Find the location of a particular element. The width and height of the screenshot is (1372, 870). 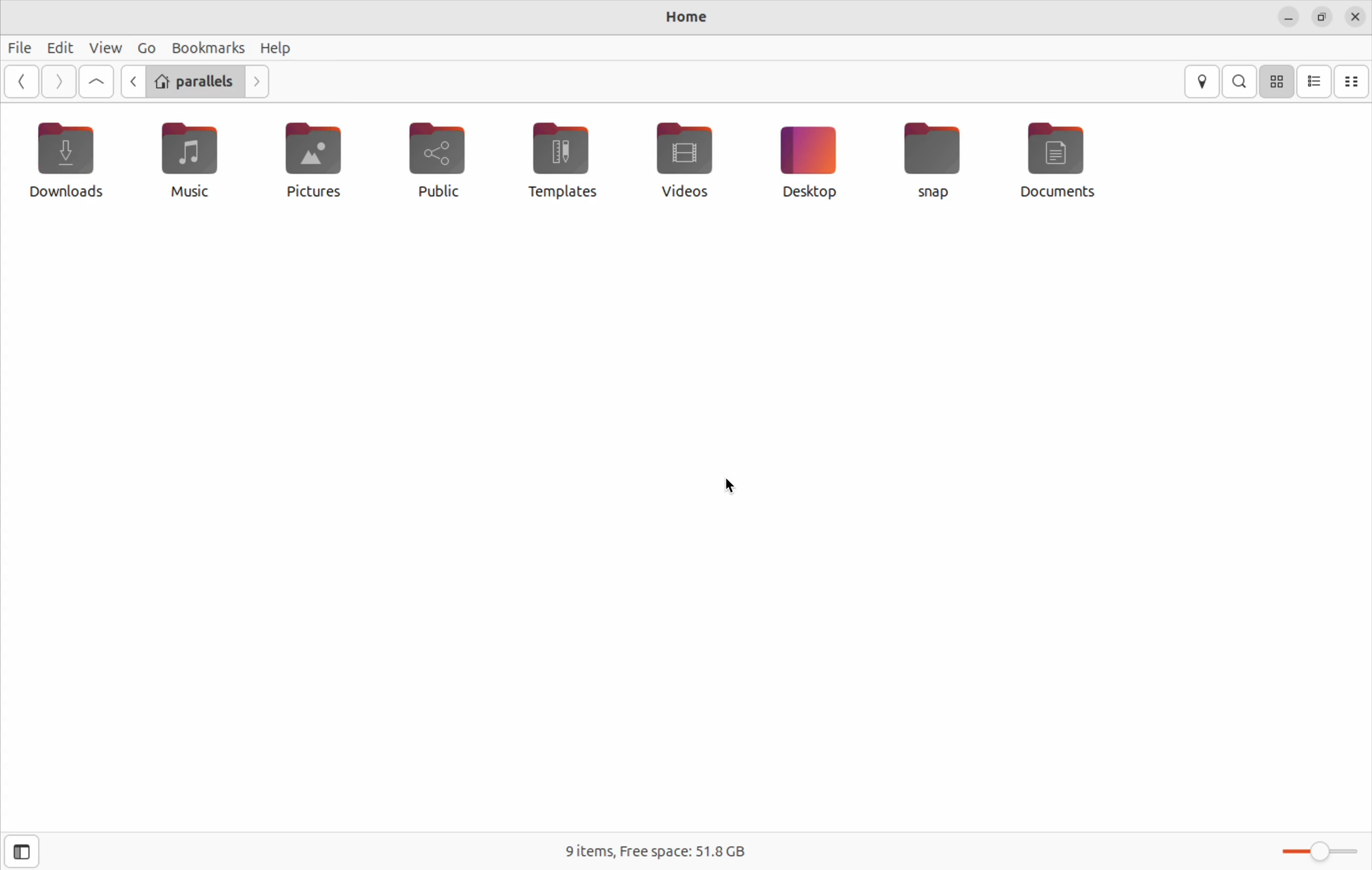

Go back is located at coordinates (132, 83).